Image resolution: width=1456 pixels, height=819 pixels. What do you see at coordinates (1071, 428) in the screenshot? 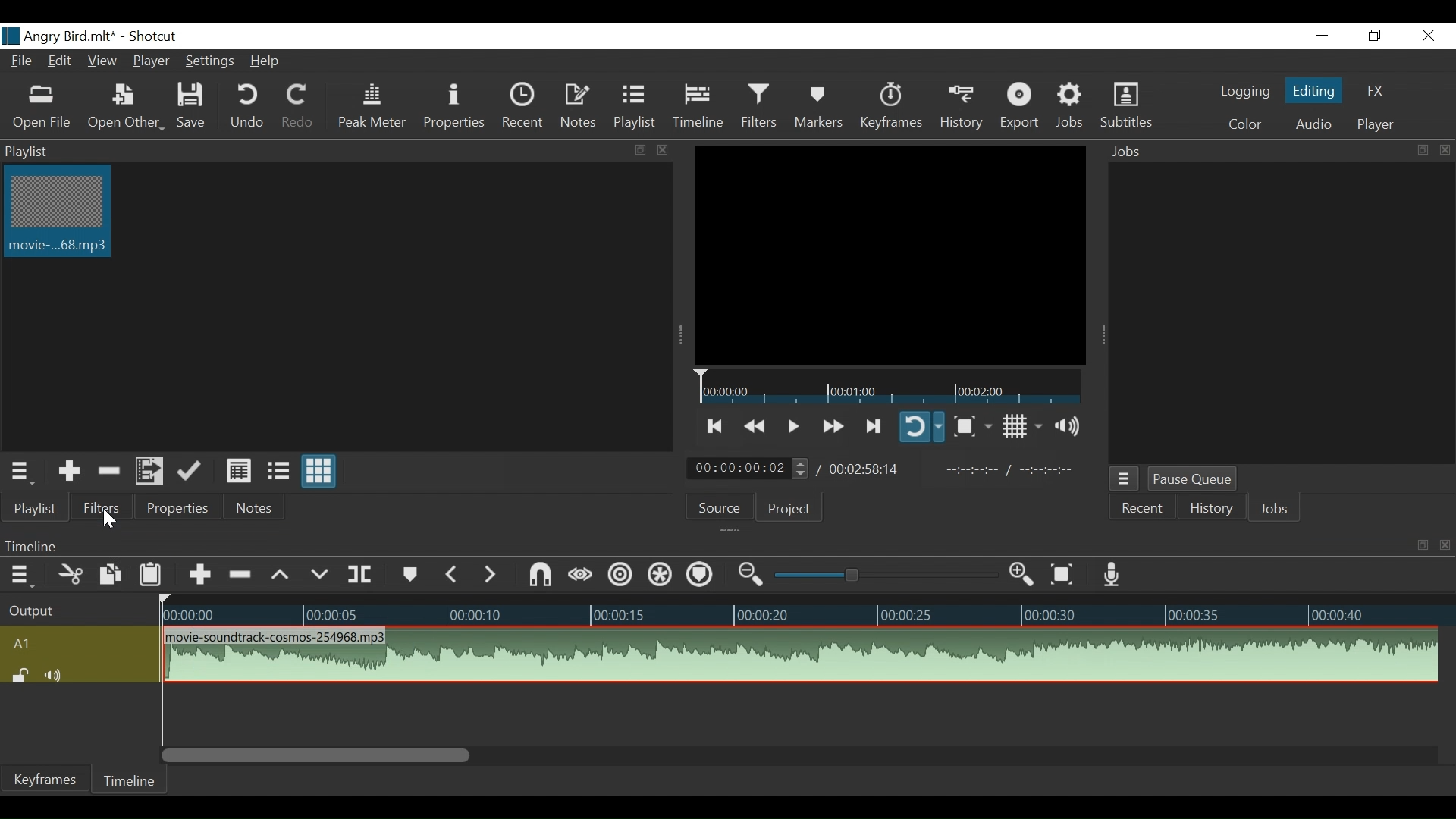
I see `Show volume control` at bounding box center [1071, 428].